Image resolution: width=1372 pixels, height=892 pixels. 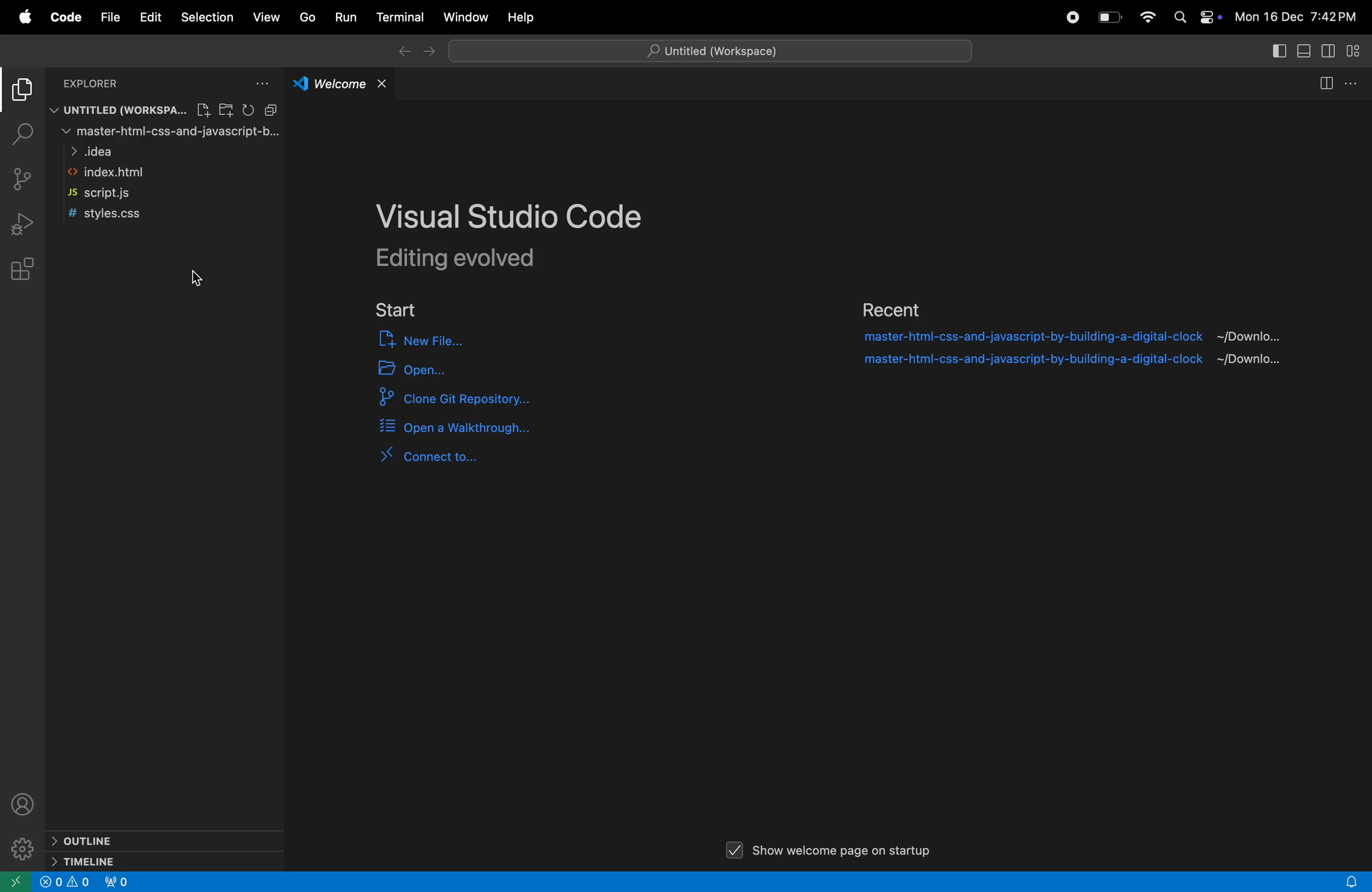 I want to click on connect to, so click(x=439, y=456).